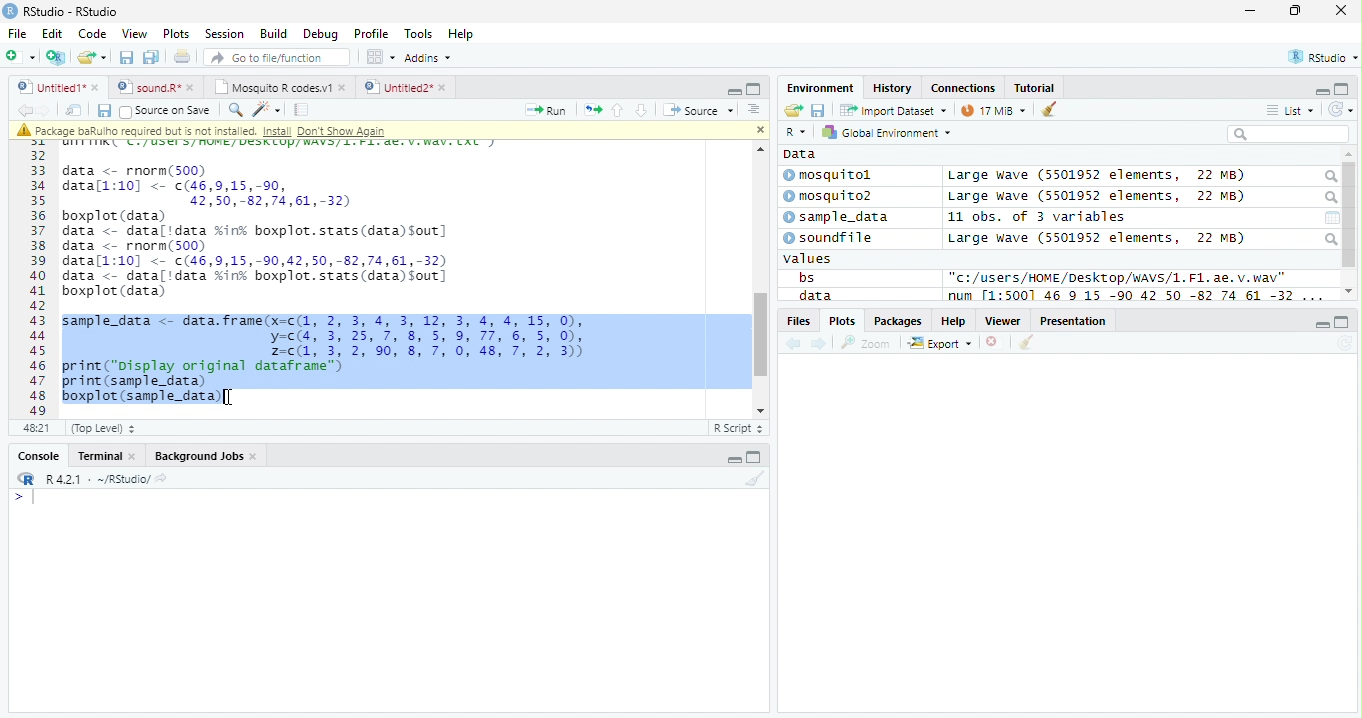  Describe the element at coordinates (136, 33) in the screenshot. I see `View` at that location.